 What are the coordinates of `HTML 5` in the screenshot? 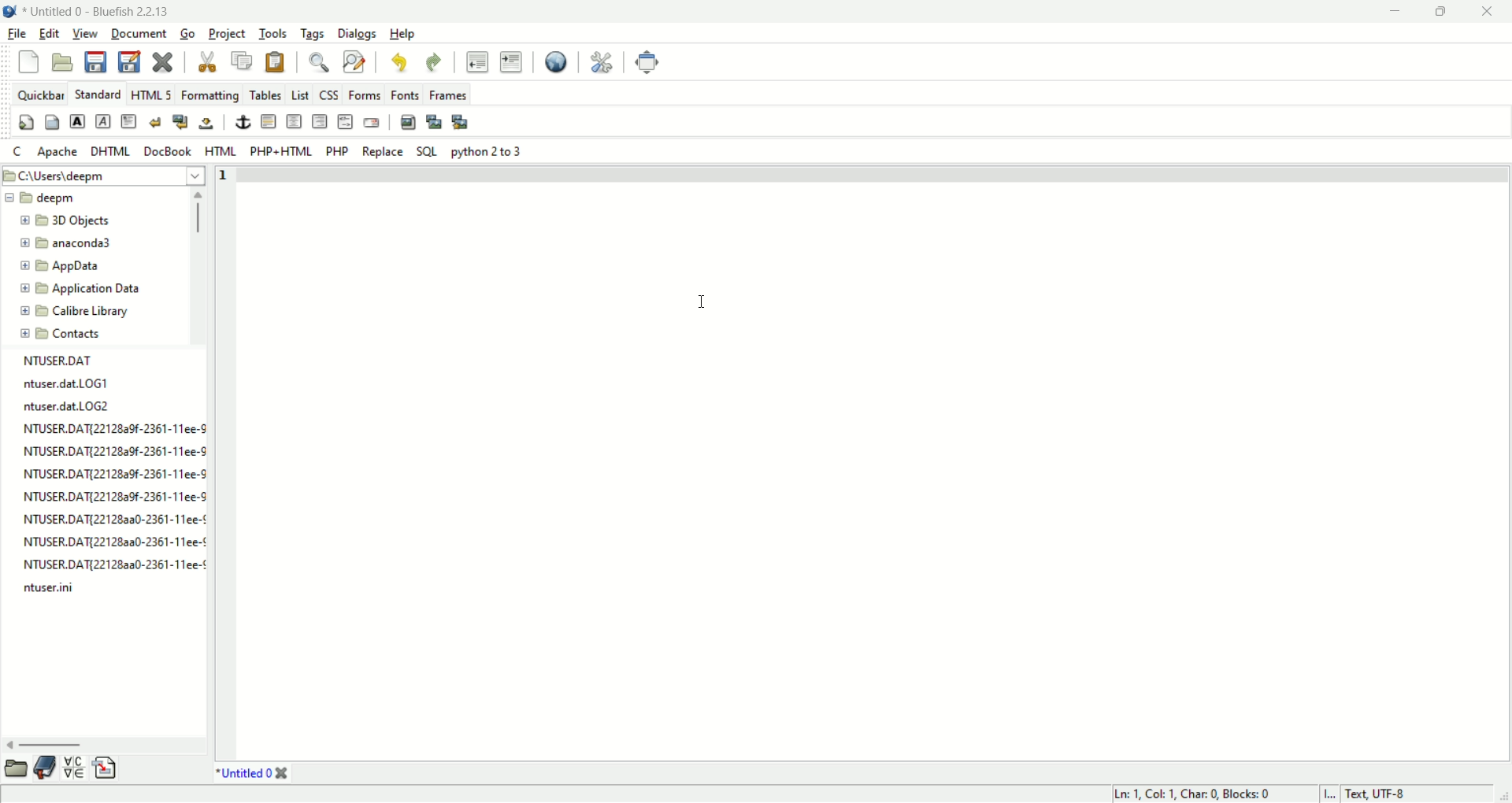 It's located at (152, 96).